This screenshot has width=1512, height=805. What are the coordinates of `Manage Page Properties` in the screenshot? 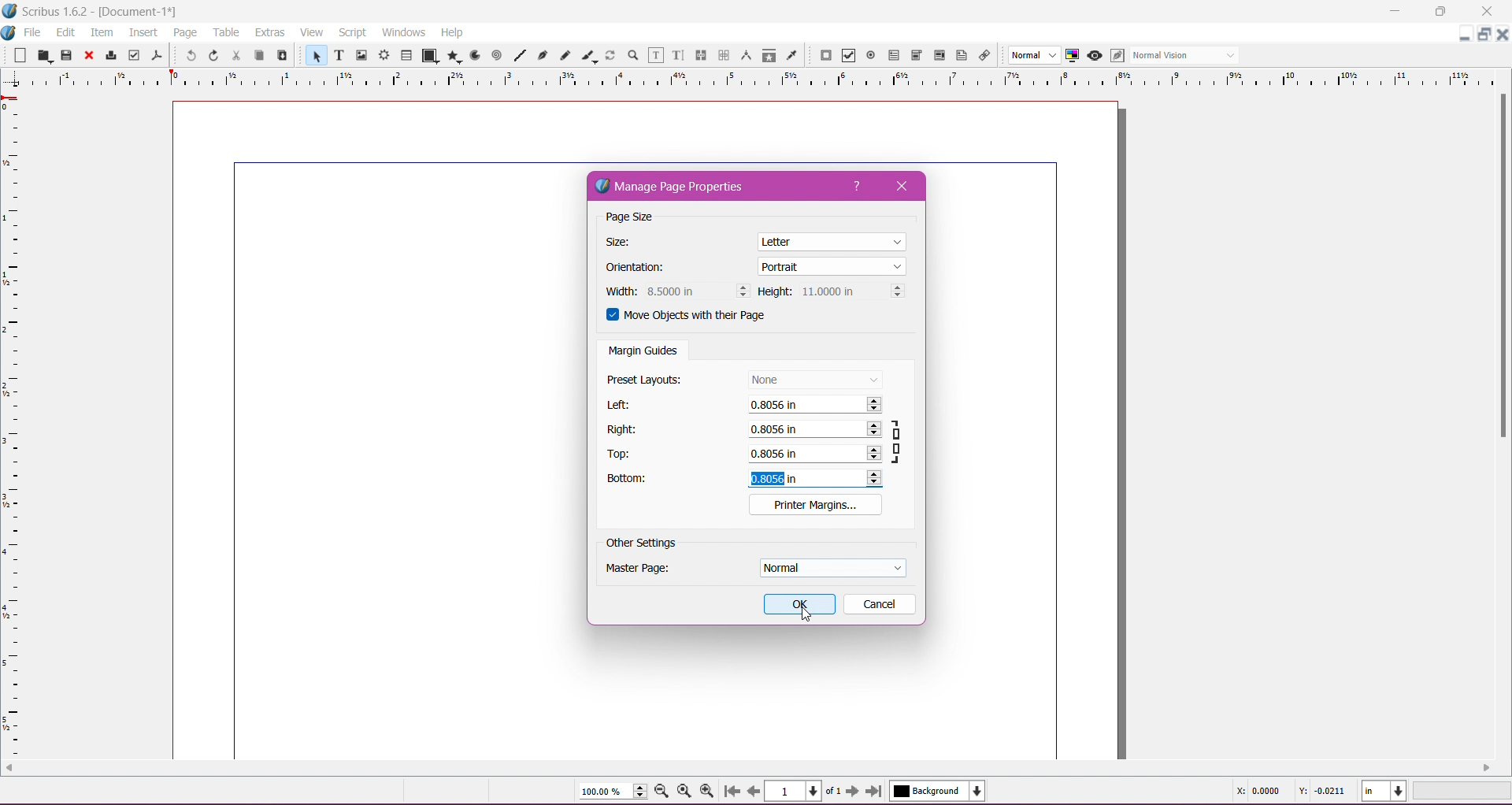 It's located at (682, 187).